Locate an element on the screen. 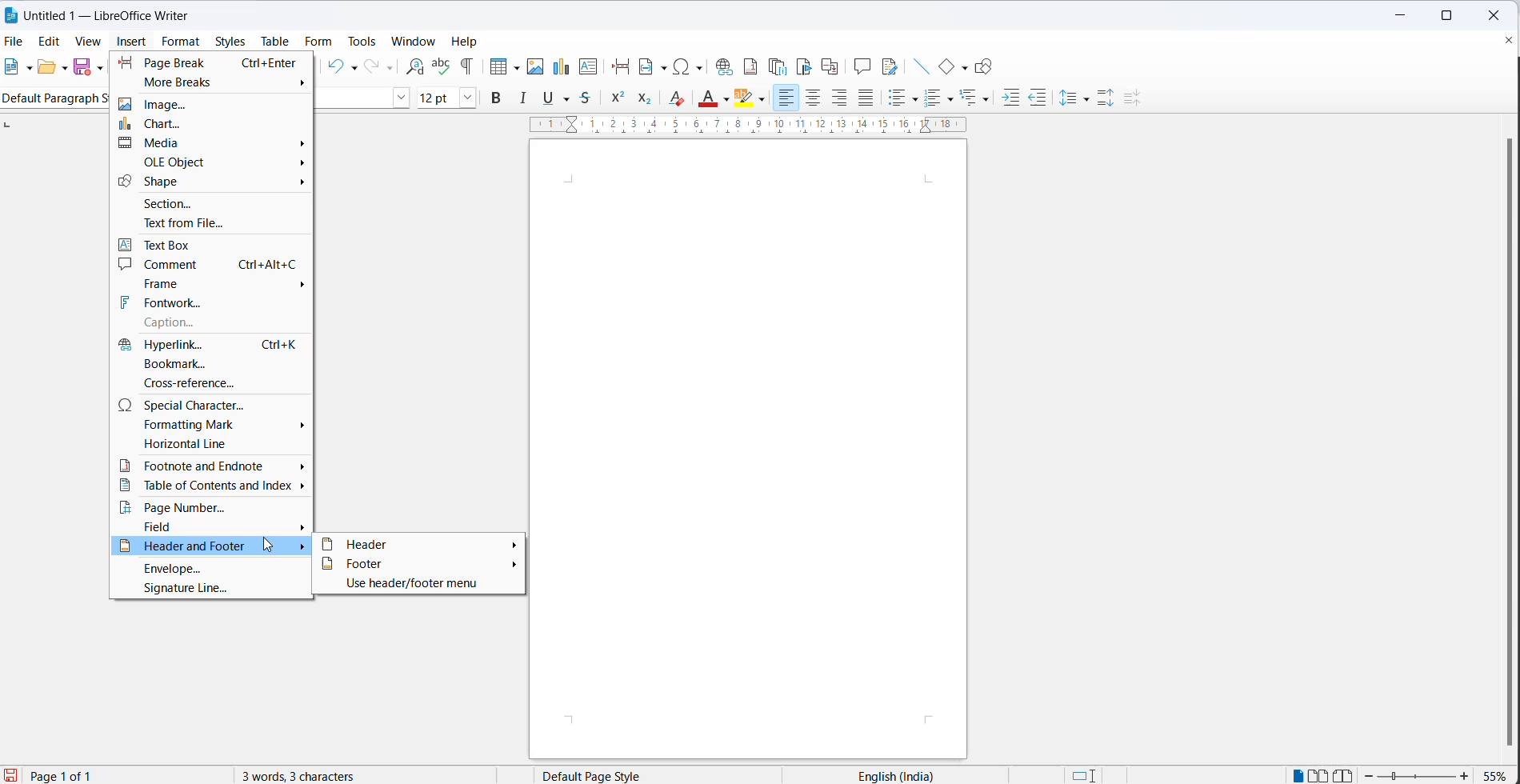  text box is located at coordinates (208, 246).